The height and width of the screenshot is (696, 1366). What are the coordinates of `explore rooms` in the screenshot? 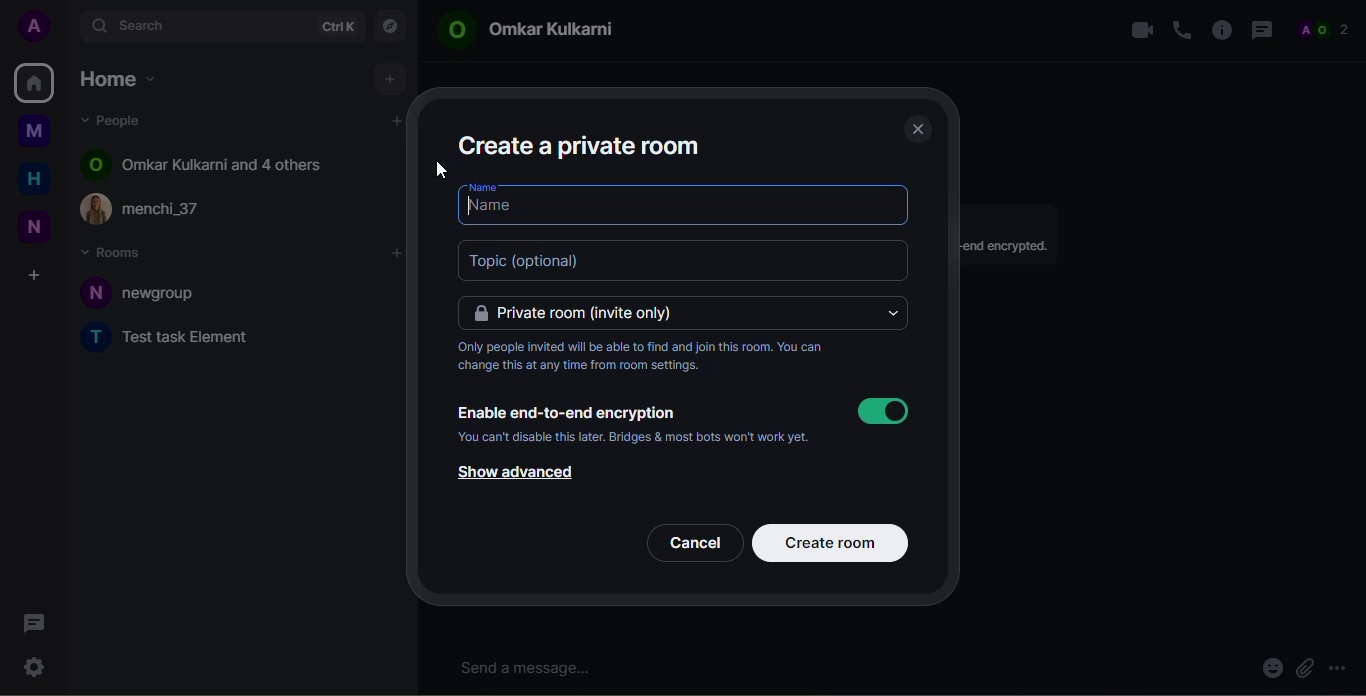 It's located at (389, 27).